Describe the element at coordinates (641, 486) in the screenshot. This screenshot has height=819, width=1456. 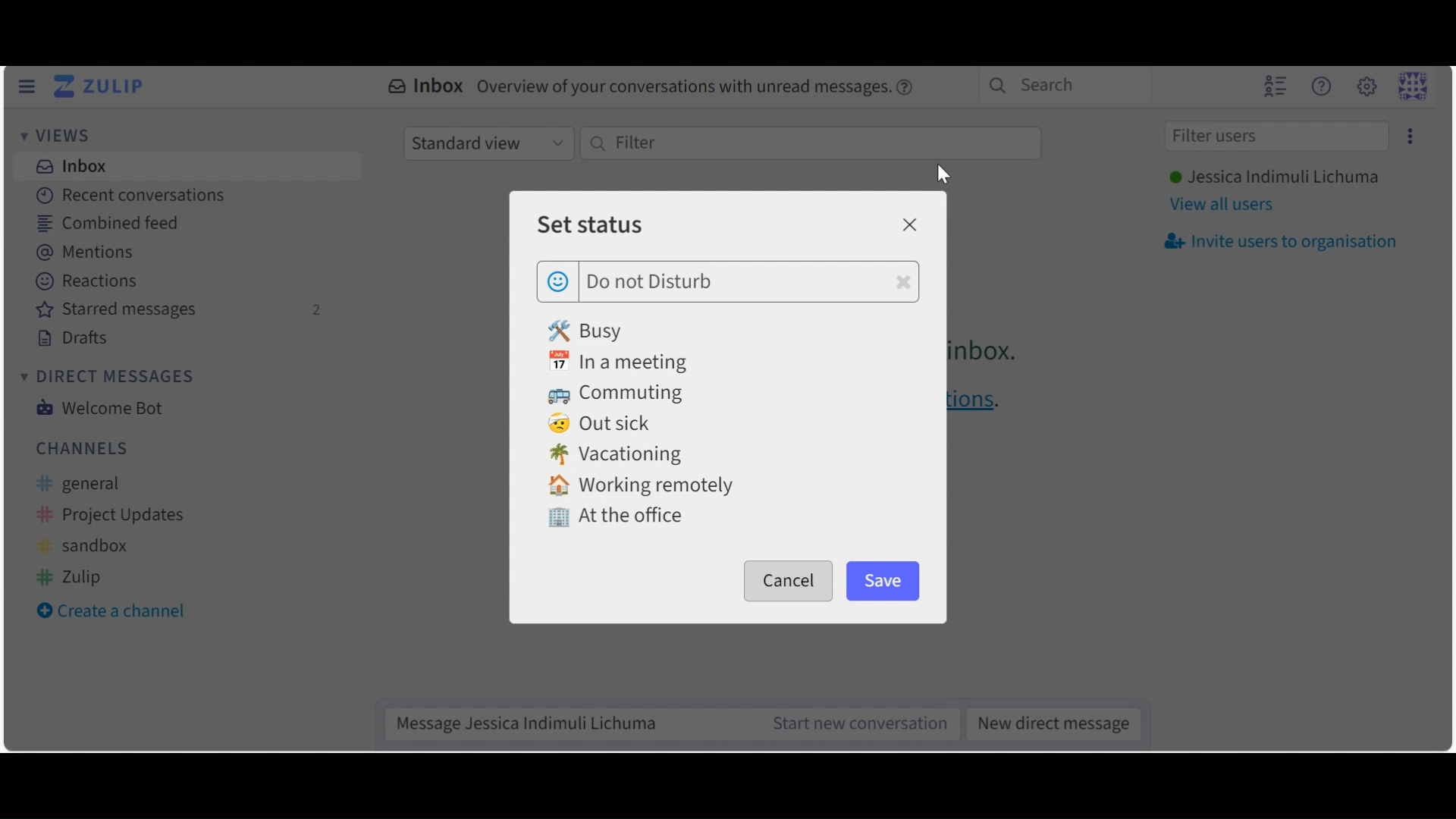
I see `Working remotely` at that location.